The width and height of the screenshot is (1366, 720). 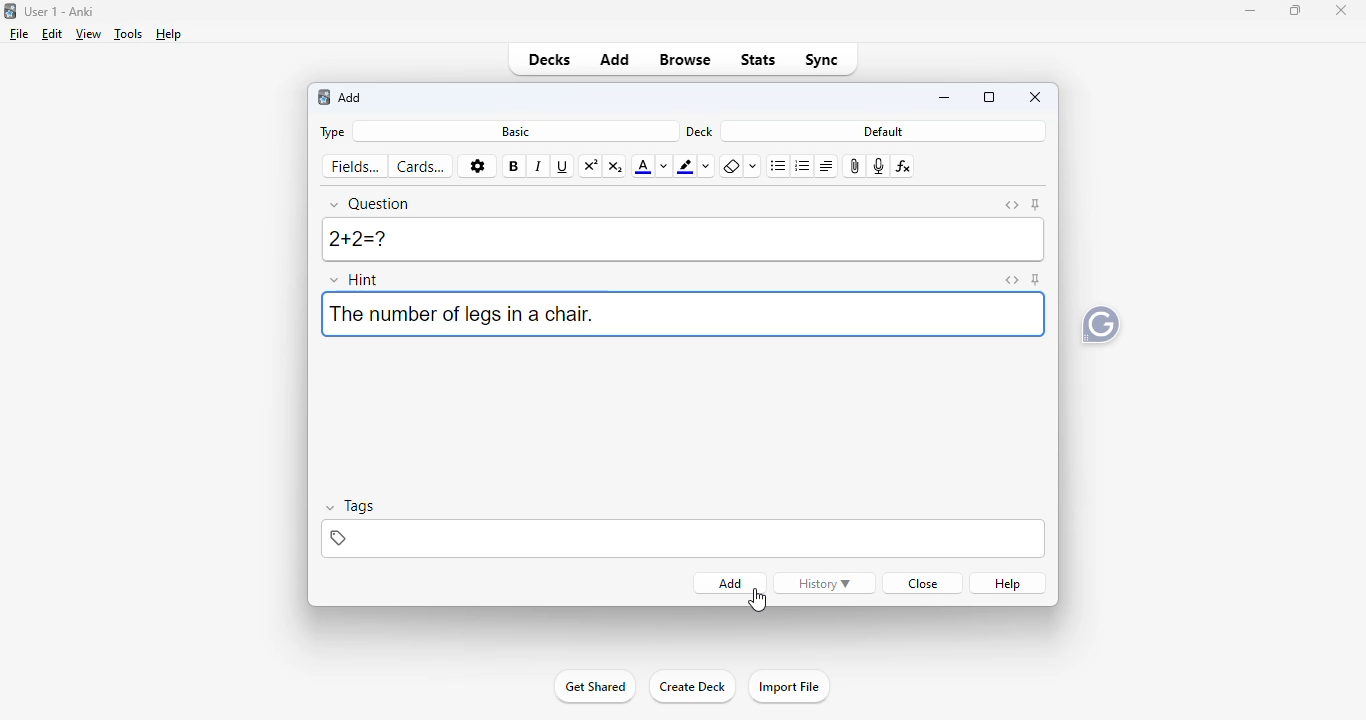 I want to click on toggle sticky, so click(x=1036, y=204).